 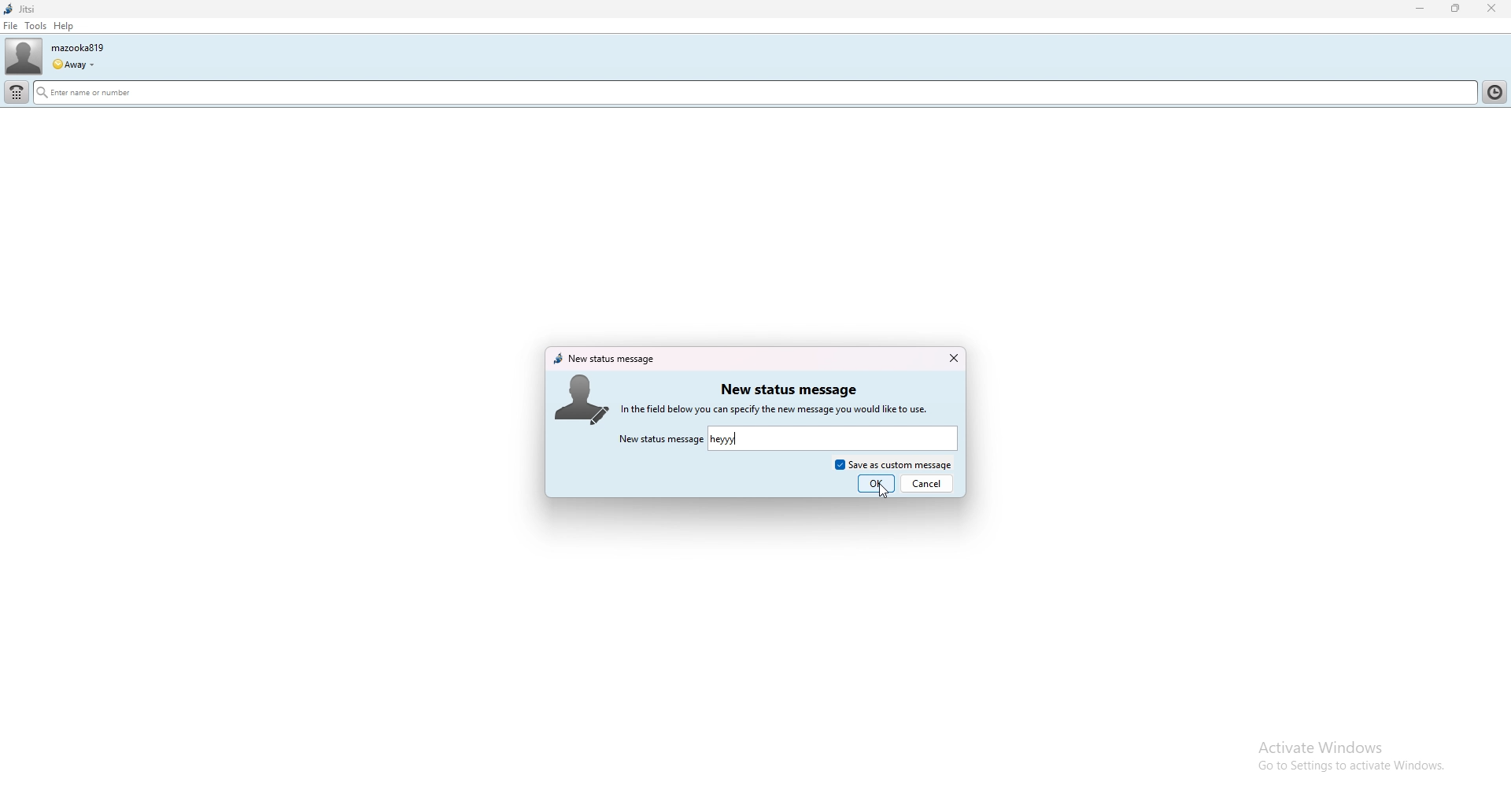 What do you see at coordinates (1457, 8) in the screenshot?
I see `resize` at bounding box center [1457, 8].